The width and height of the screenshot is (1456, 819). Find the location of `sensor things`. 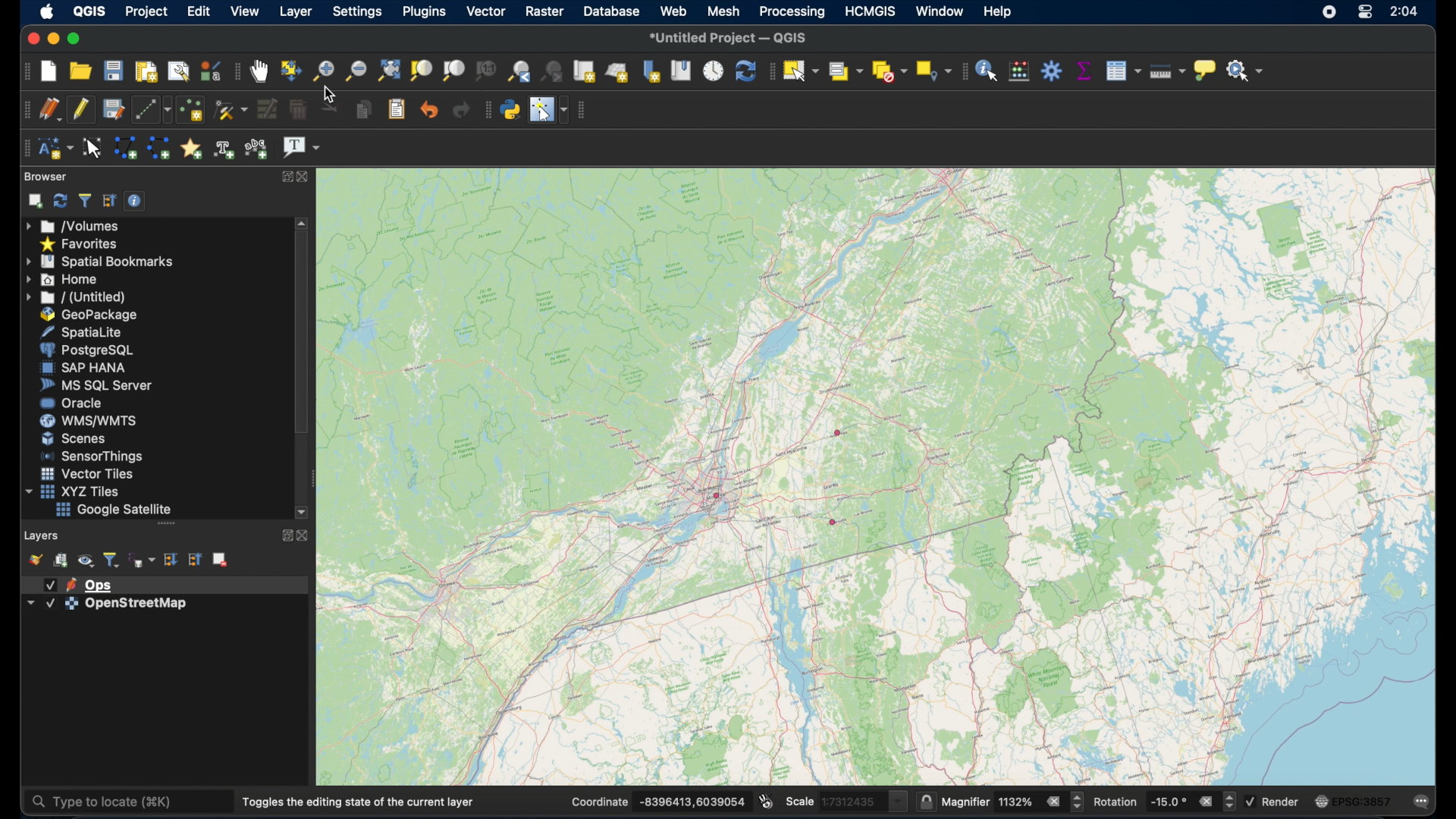

sensor things is located at coordinates (89, 457).